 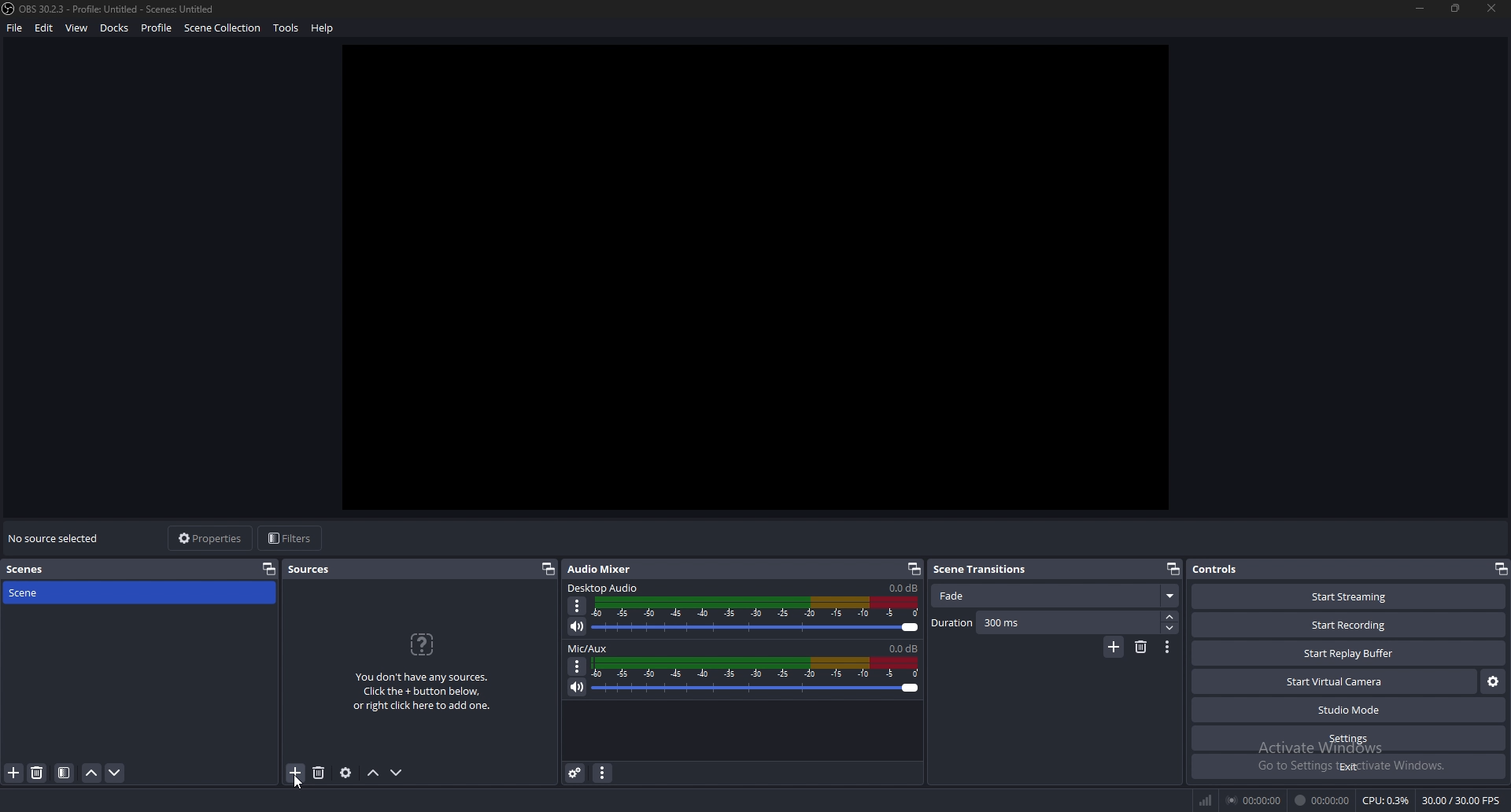 What do you see at coordinates (578, 666) in the screenshot?
I see `options` at bounding box center [578, 666].